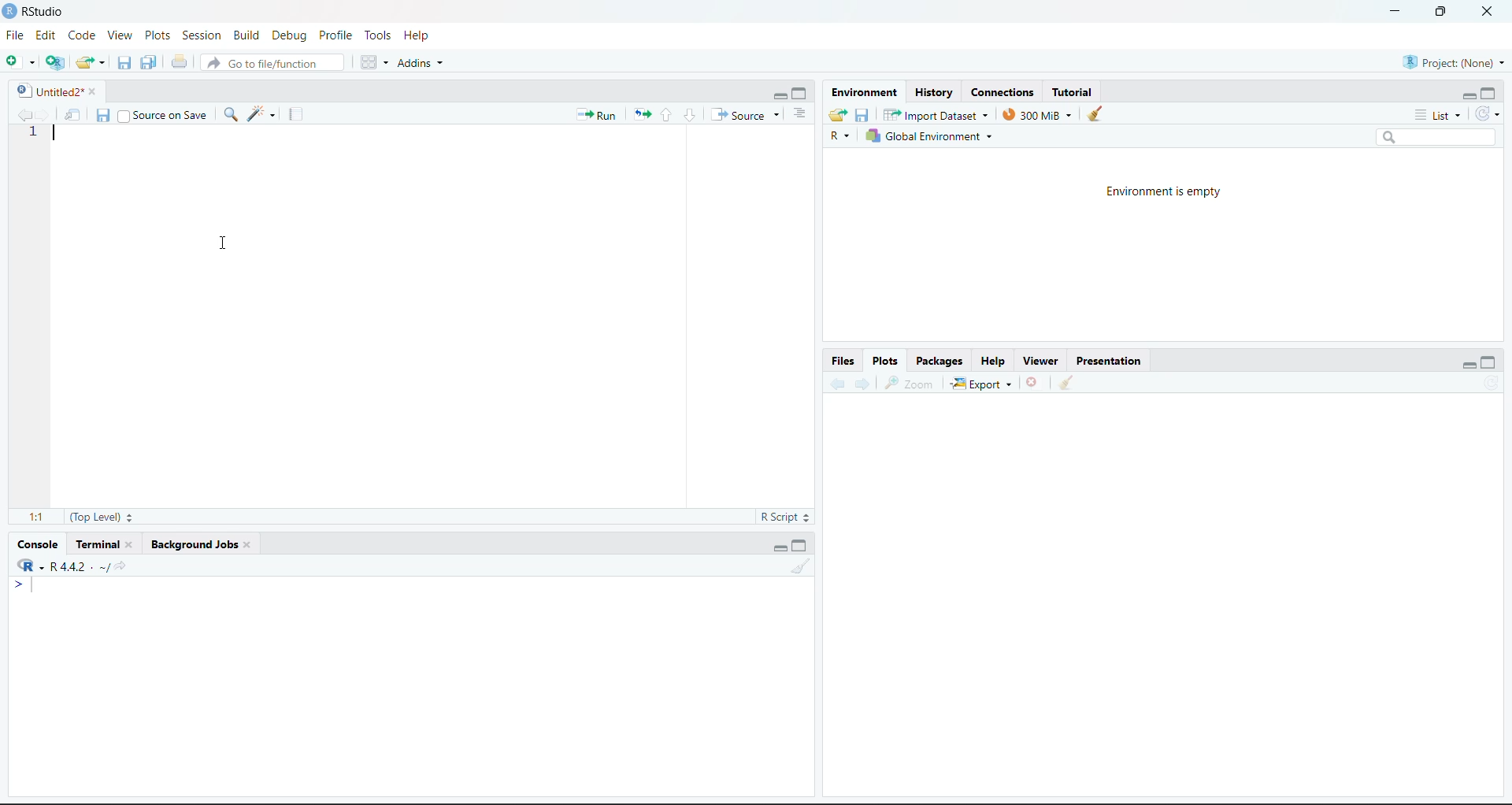 The image size is (1512, 805). Describe the element at coordinates (420, 63) in the screenshot. I see ` Addins ` at that location.